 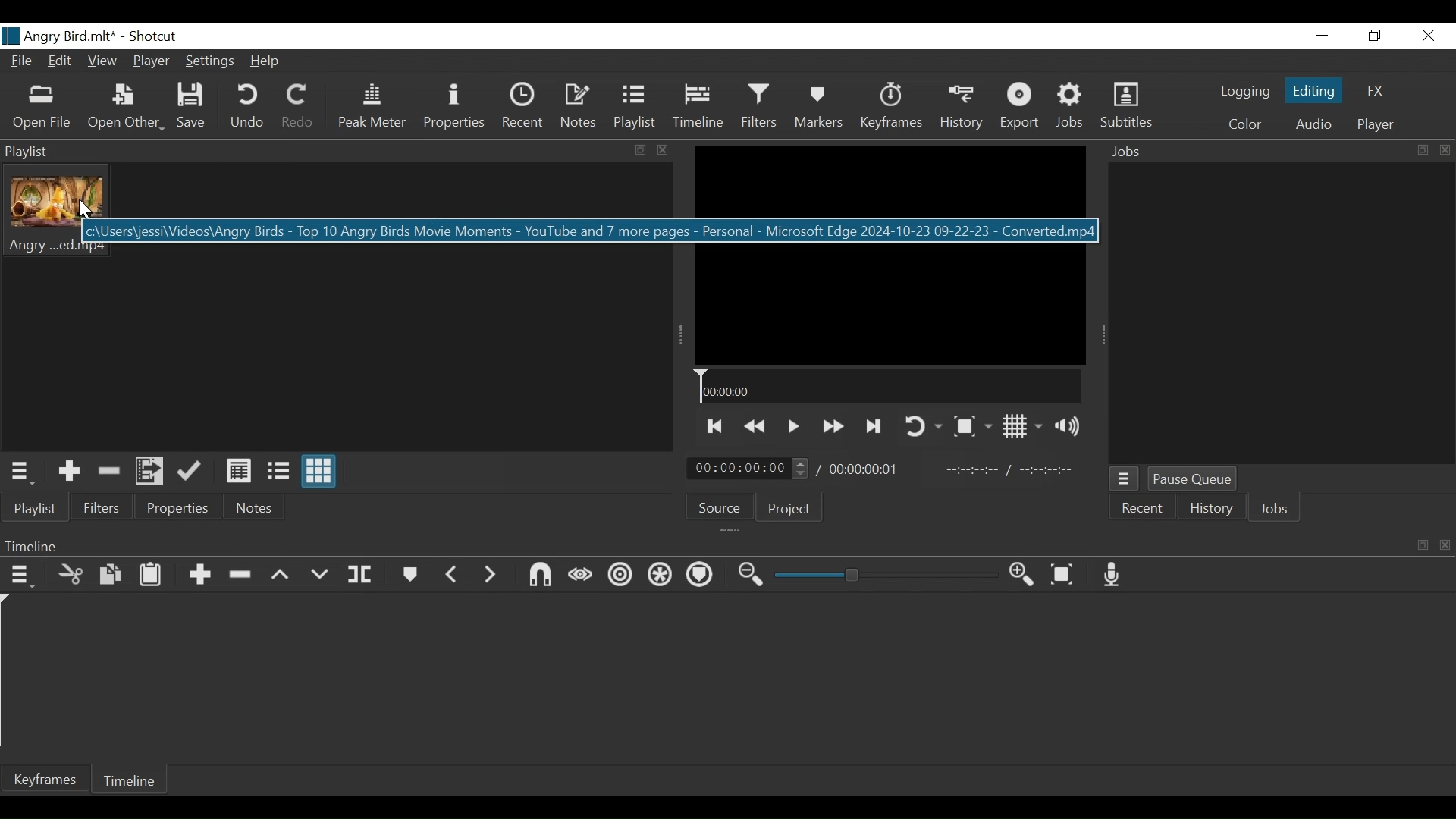 What do you see at coordinates (748, 467) in the screenshot?
I see `Current uration` at bounding box center [748, 467].